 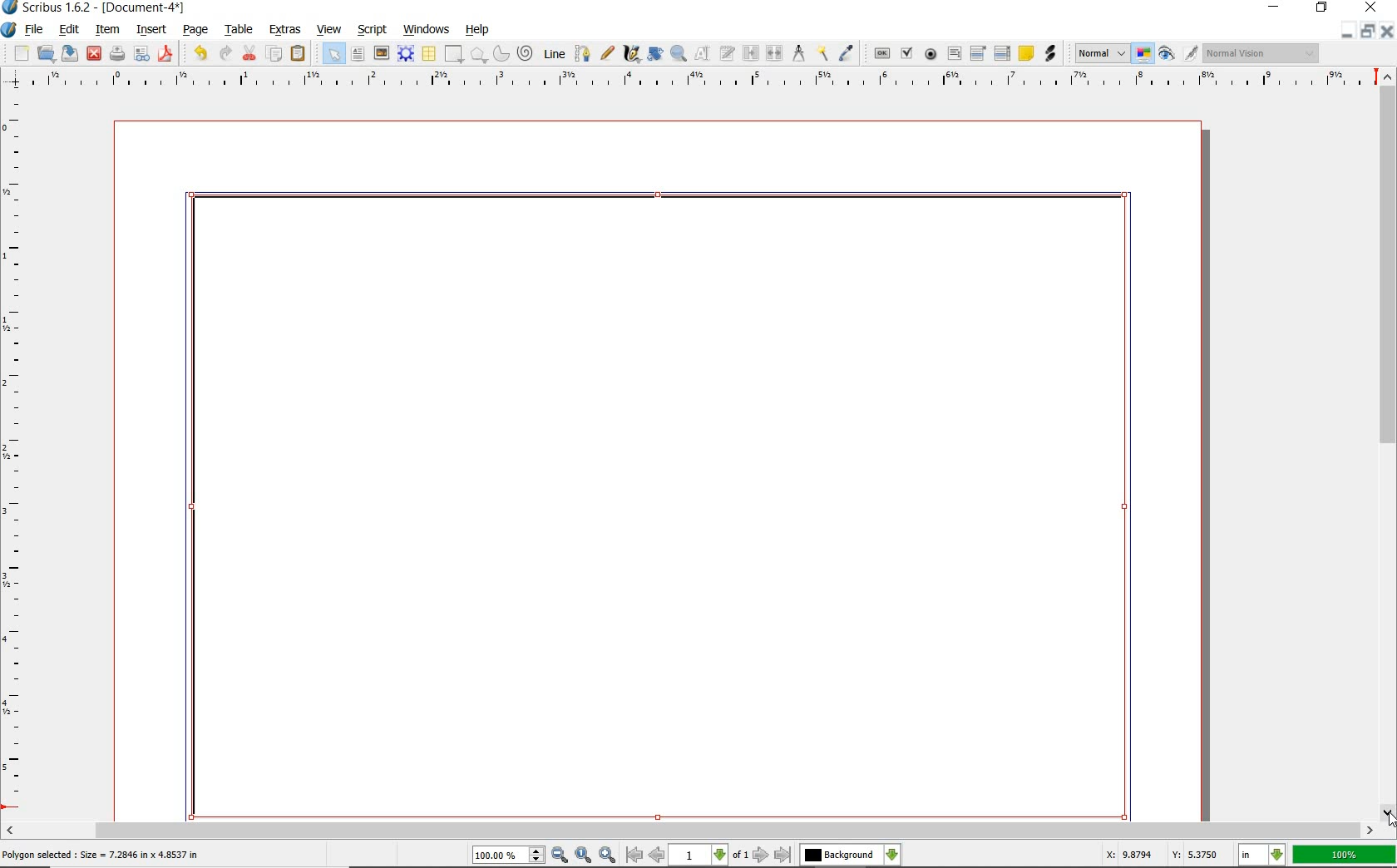 What do you see at coordinates (1262, 855) in the screenshot?
I see `in` at bounding box center [1262, 855].